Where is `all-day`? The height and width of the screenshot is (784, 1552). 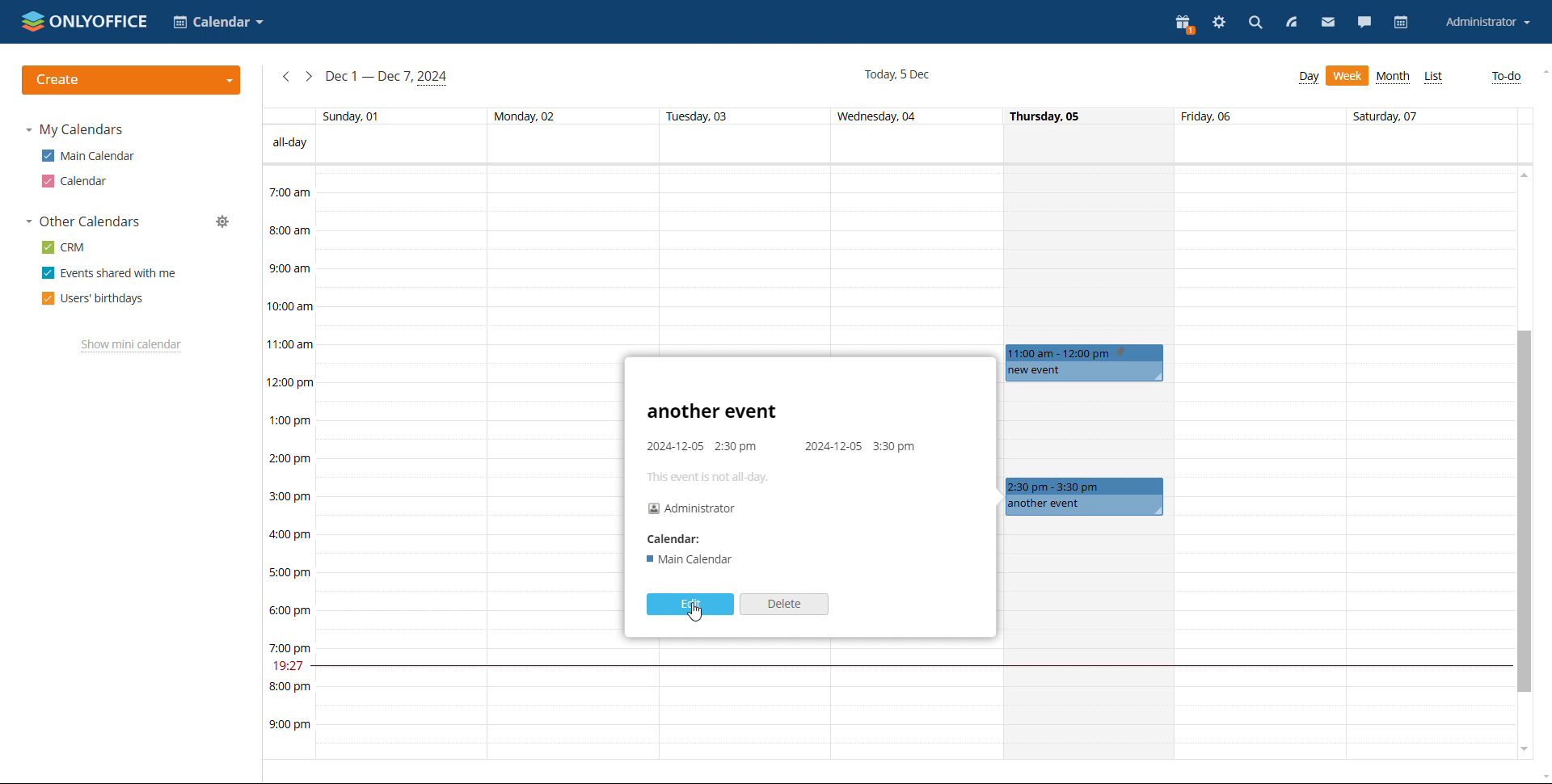
all-day is located at coordinates (285, 143).